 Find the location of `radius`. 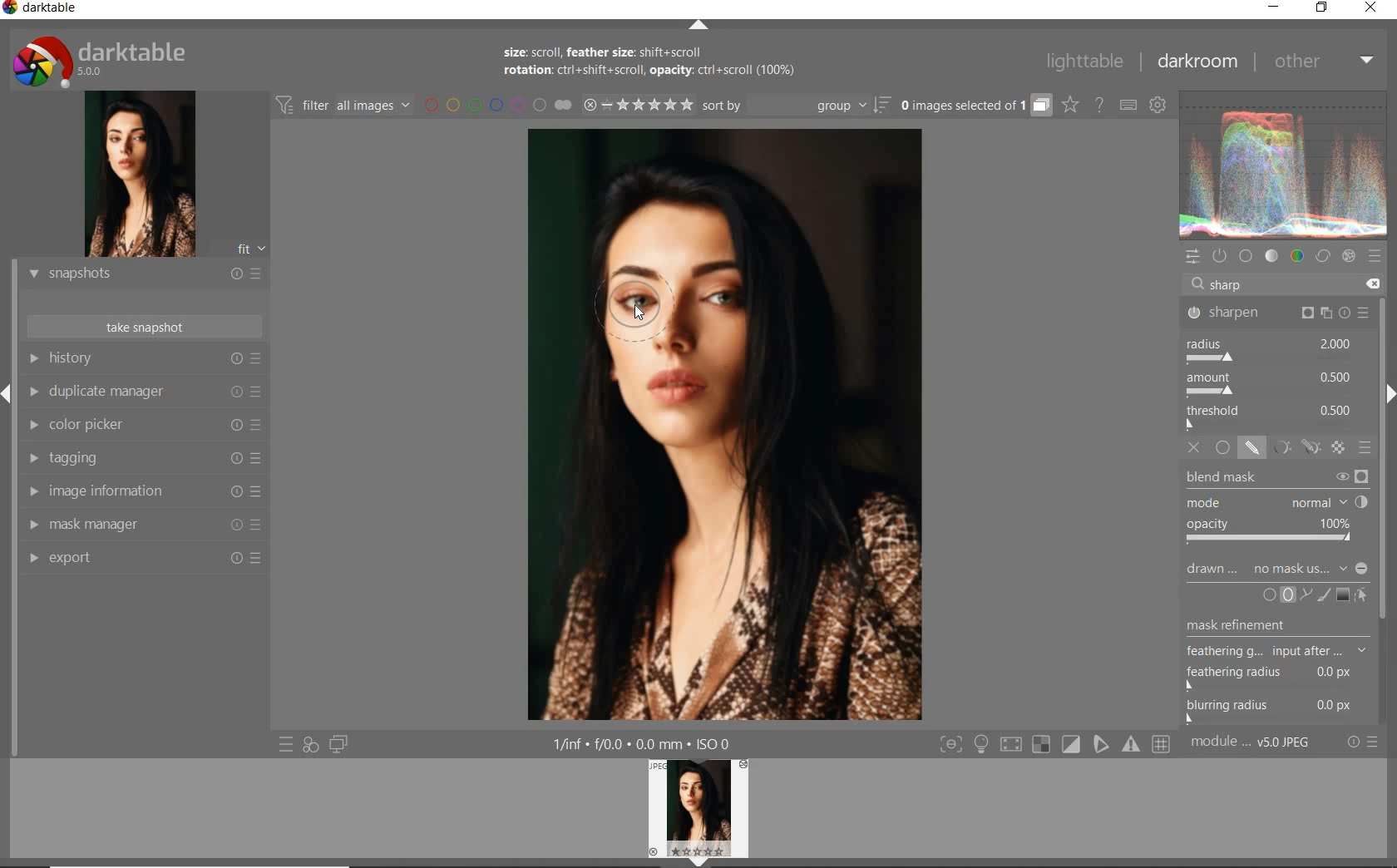

radius is located at coordinates (1275, 350).